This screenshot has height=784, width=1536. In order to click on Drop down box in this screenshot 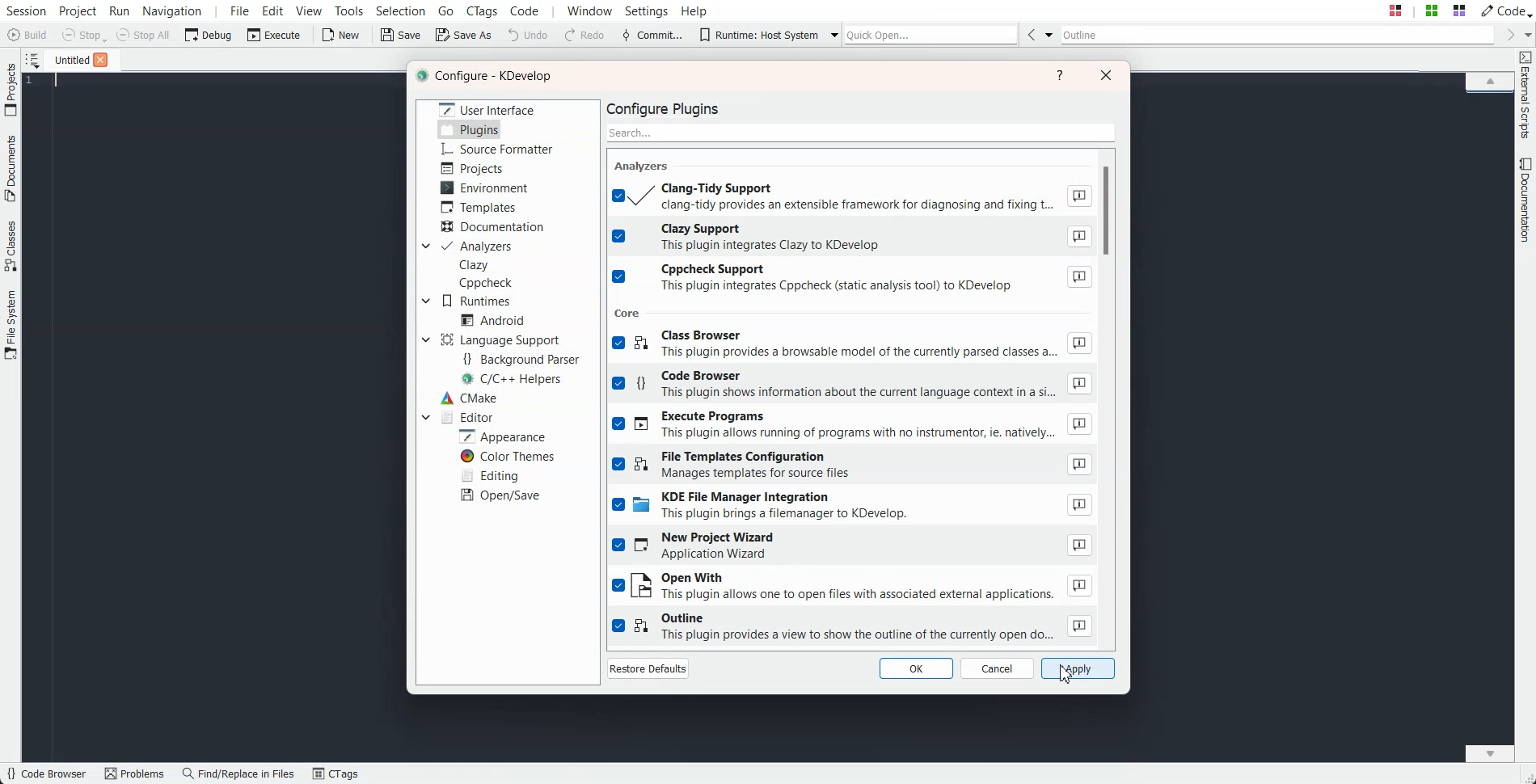, I will do `click(424, 247)`.